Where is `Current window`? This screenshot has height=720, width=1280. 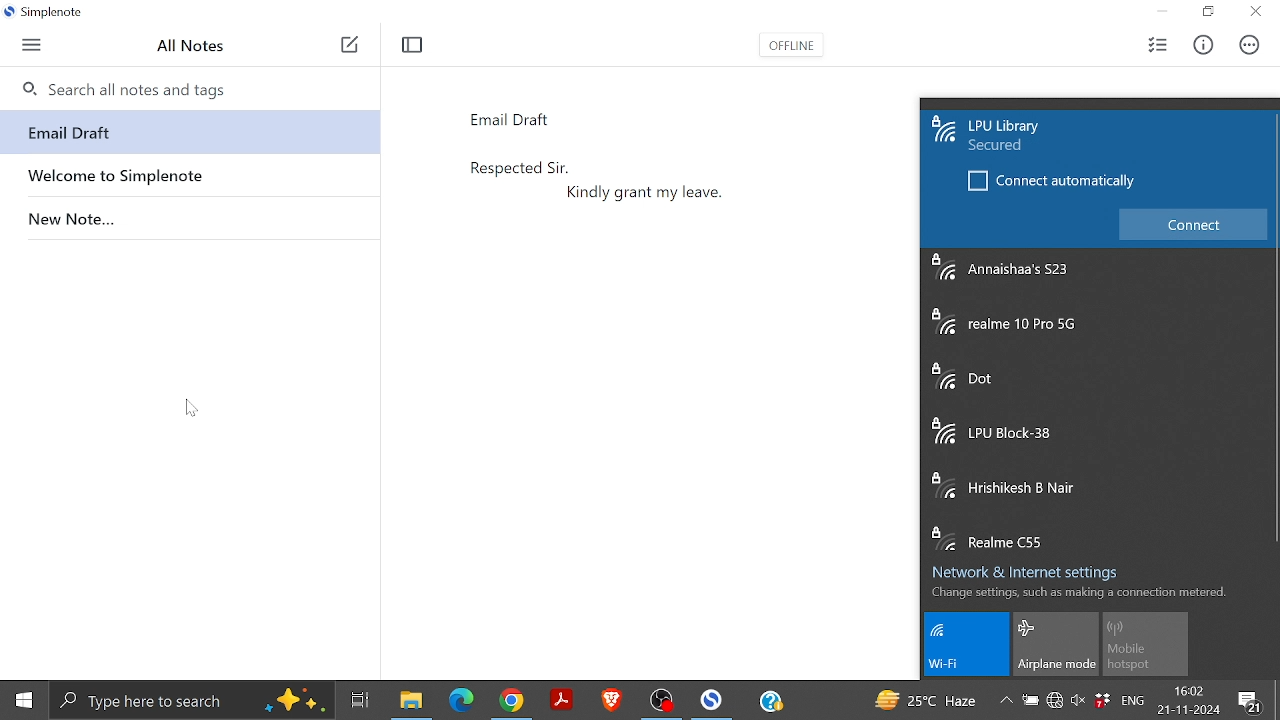
Current window is located at coordinates (49, 14).